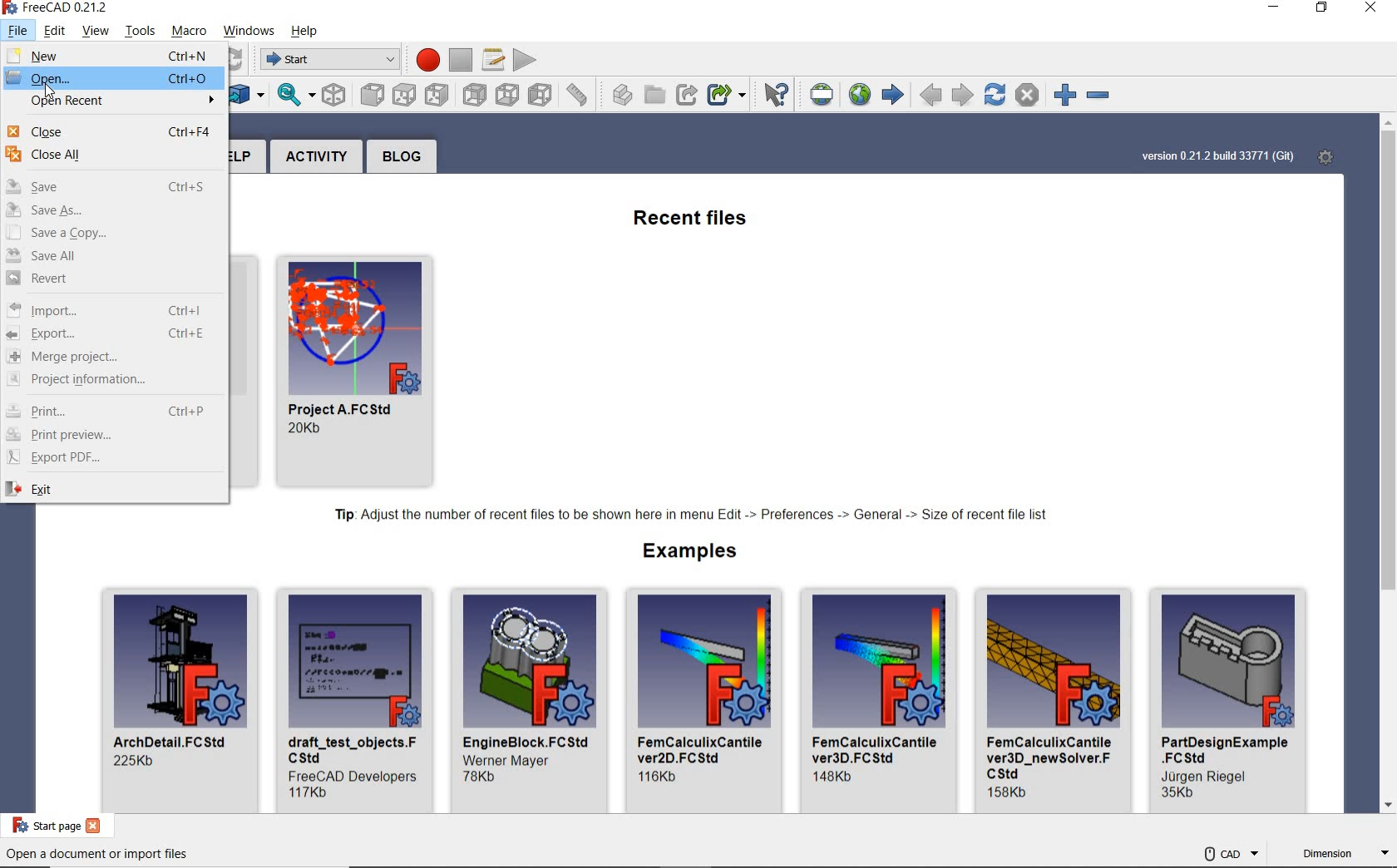  Describe the element at coordinates (12, 7) in the screenshot. I see `logo` at that location.